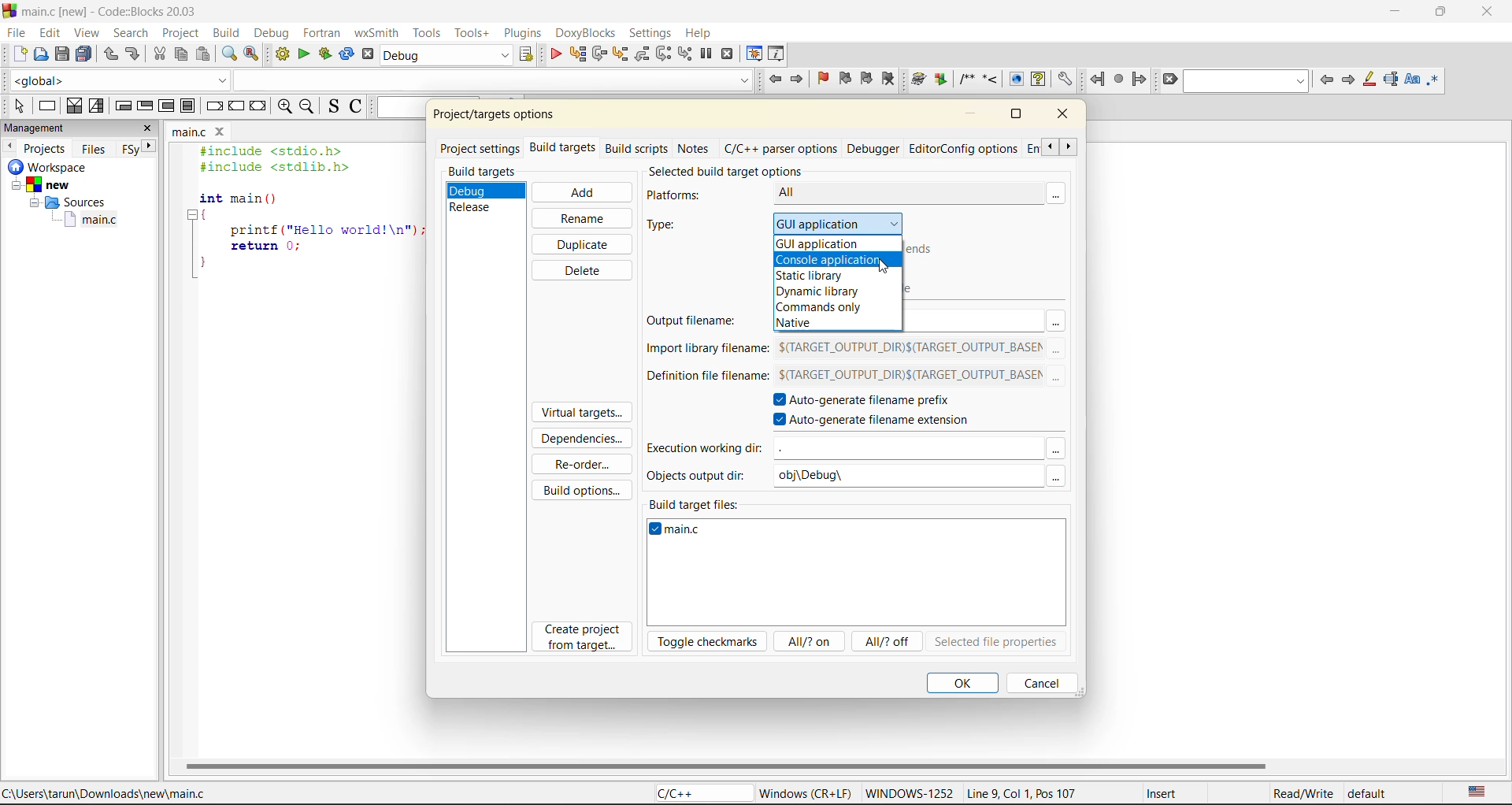  What do you see at coordinates (1039, 682) in the screenshot?
I see `cancel` at bounding box center [1039, 682].